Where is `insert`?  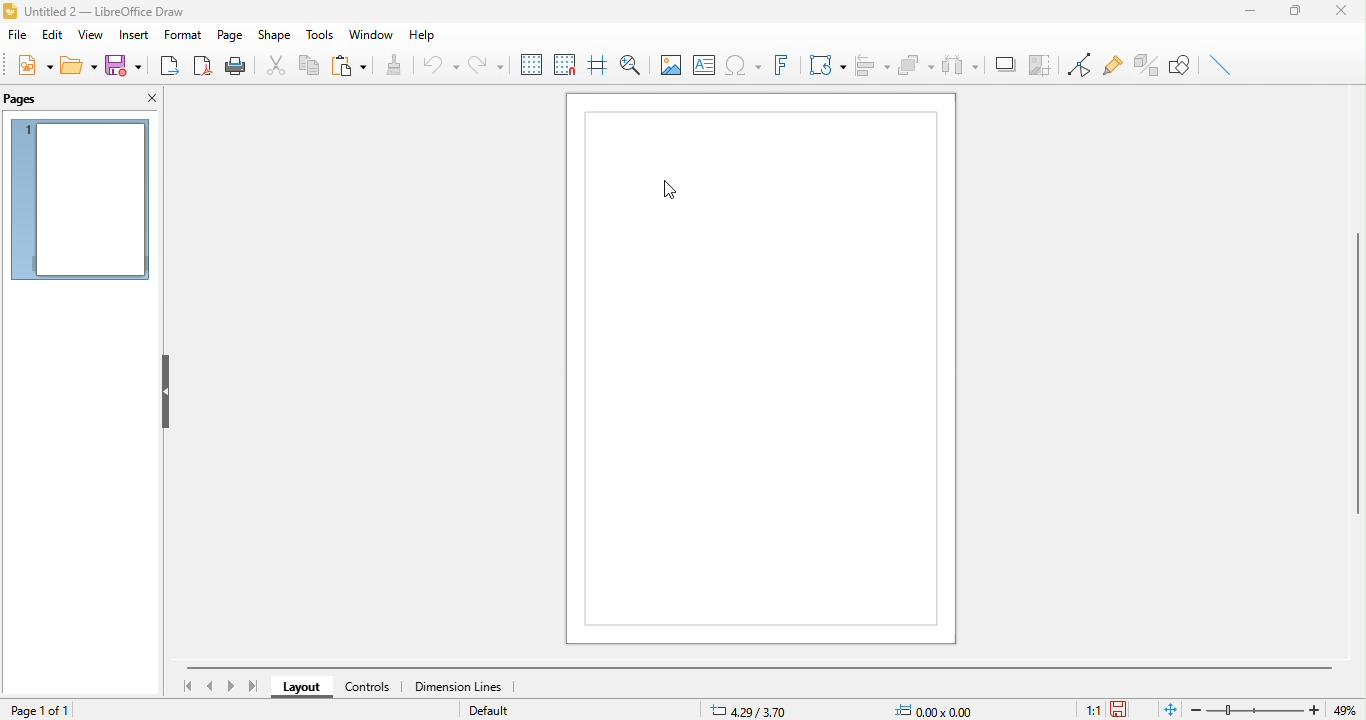
insert is located at coordinates (135, 37).